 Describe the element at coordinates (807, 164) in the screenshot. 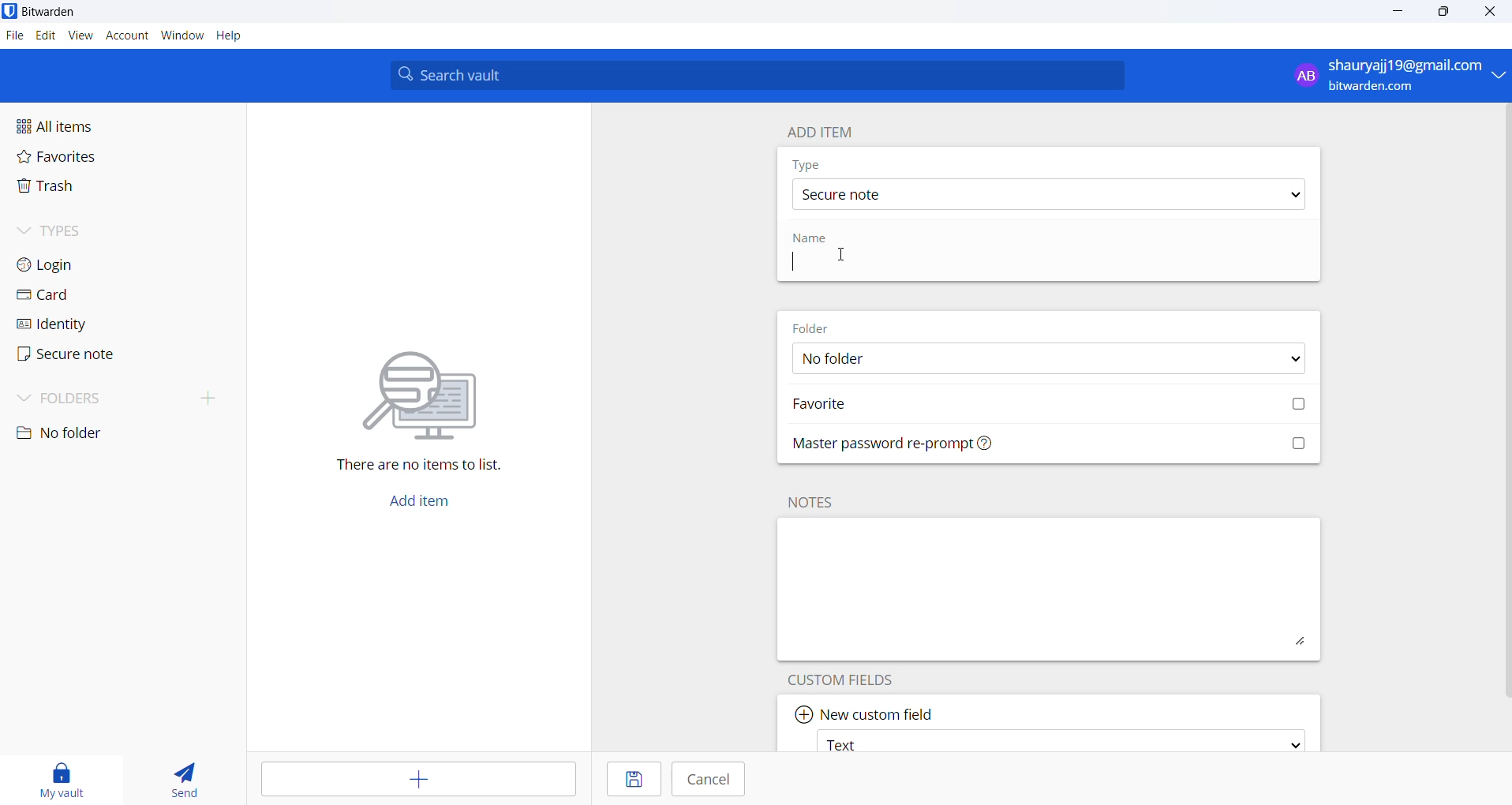

I see `type heading` at that location.